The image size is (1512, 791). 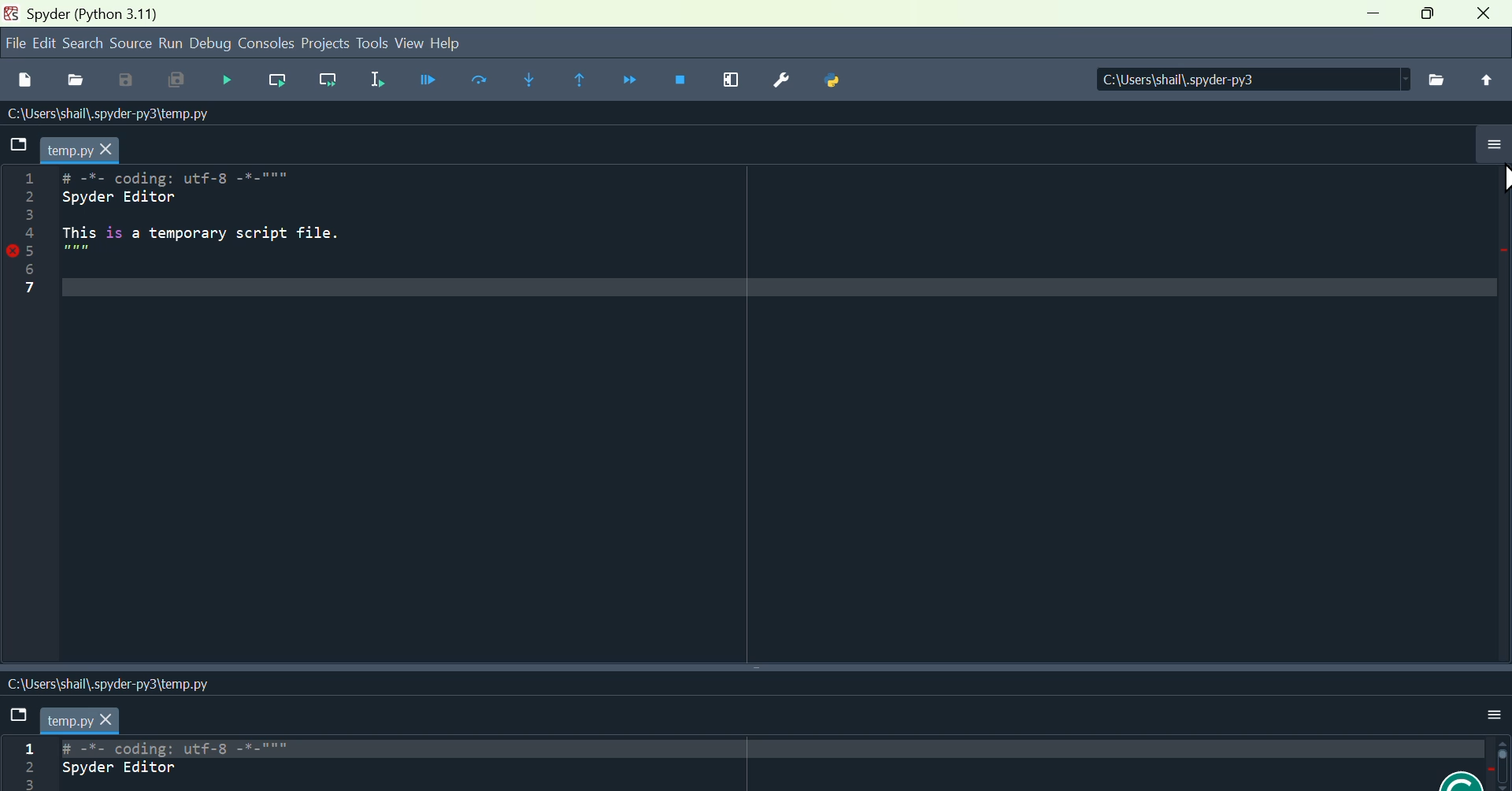 I want to click on File, so click(x=24, y=715).